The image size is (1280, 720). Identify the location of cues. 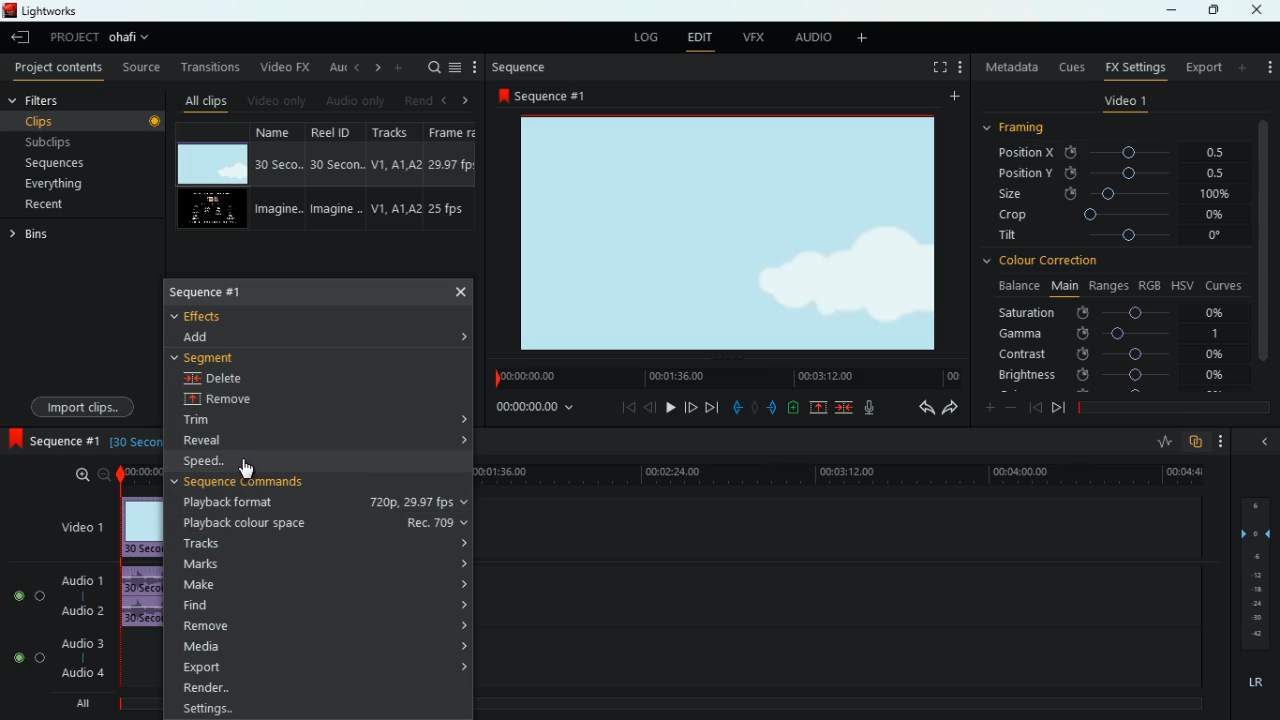
(1067, 66).